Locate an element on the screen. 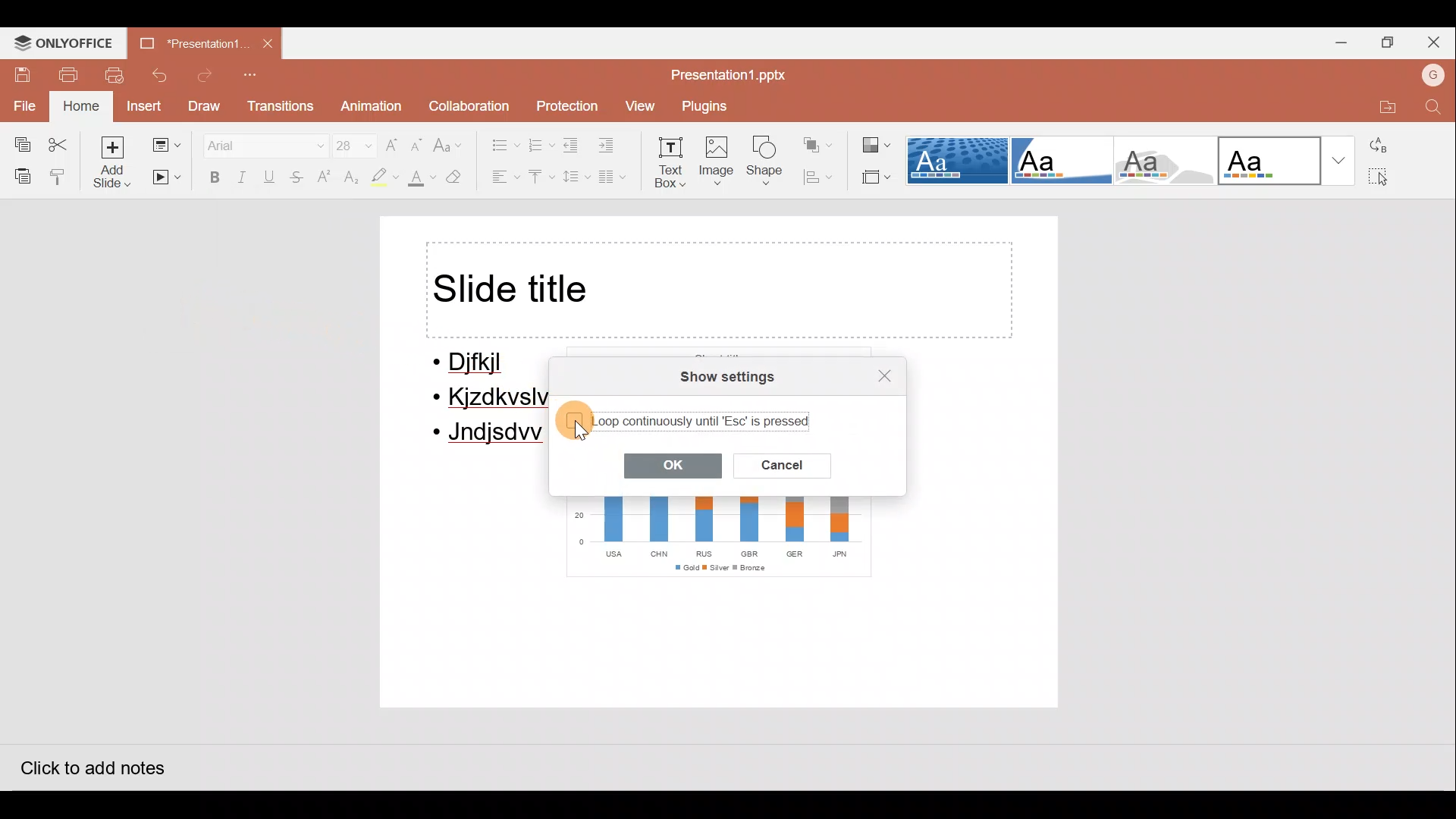  Bullets is located at coordinates (499, 142).